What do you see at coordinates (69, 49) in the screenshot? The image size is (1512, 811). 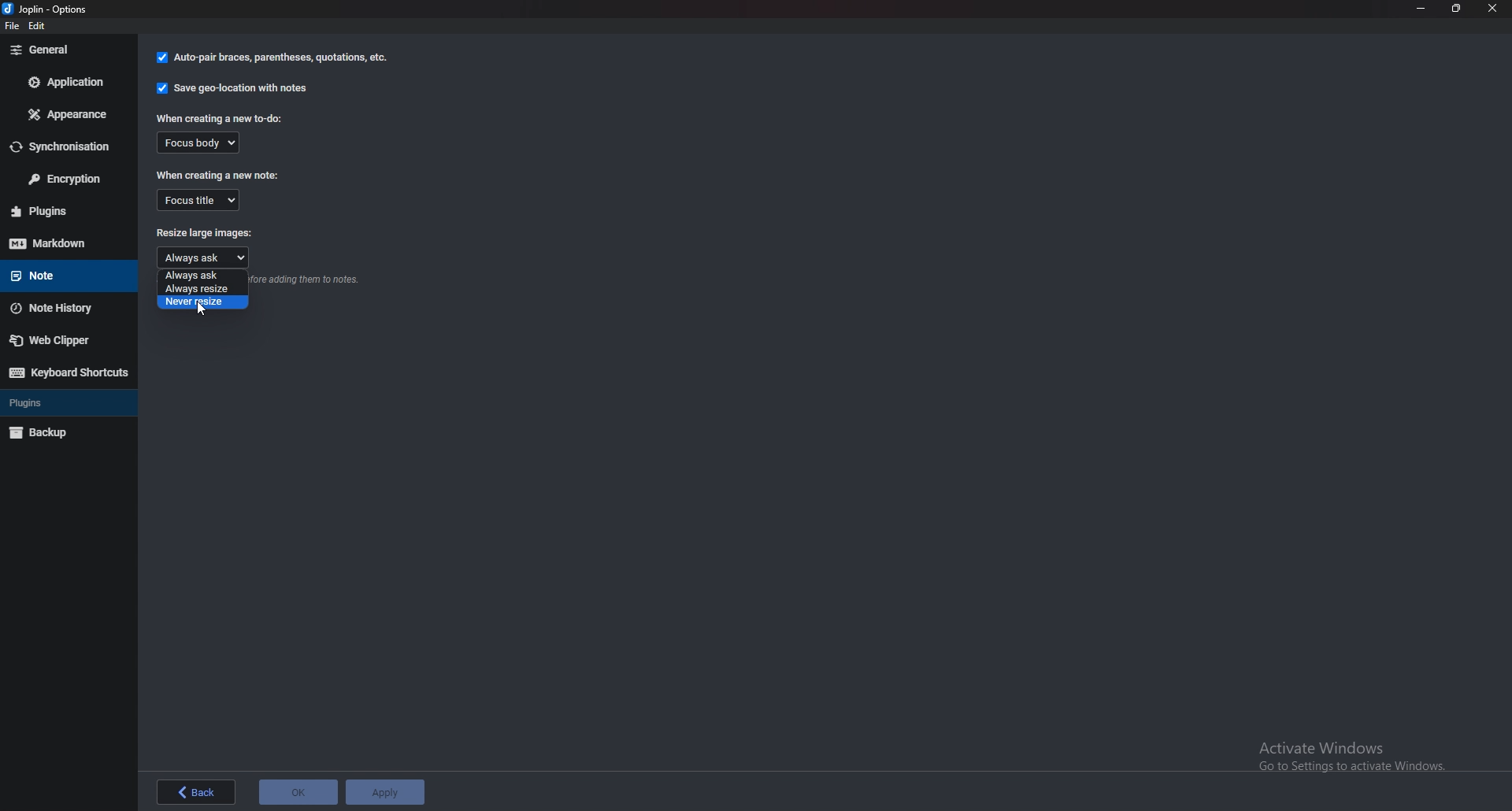 I see `General` at bounding box center [69, 49].